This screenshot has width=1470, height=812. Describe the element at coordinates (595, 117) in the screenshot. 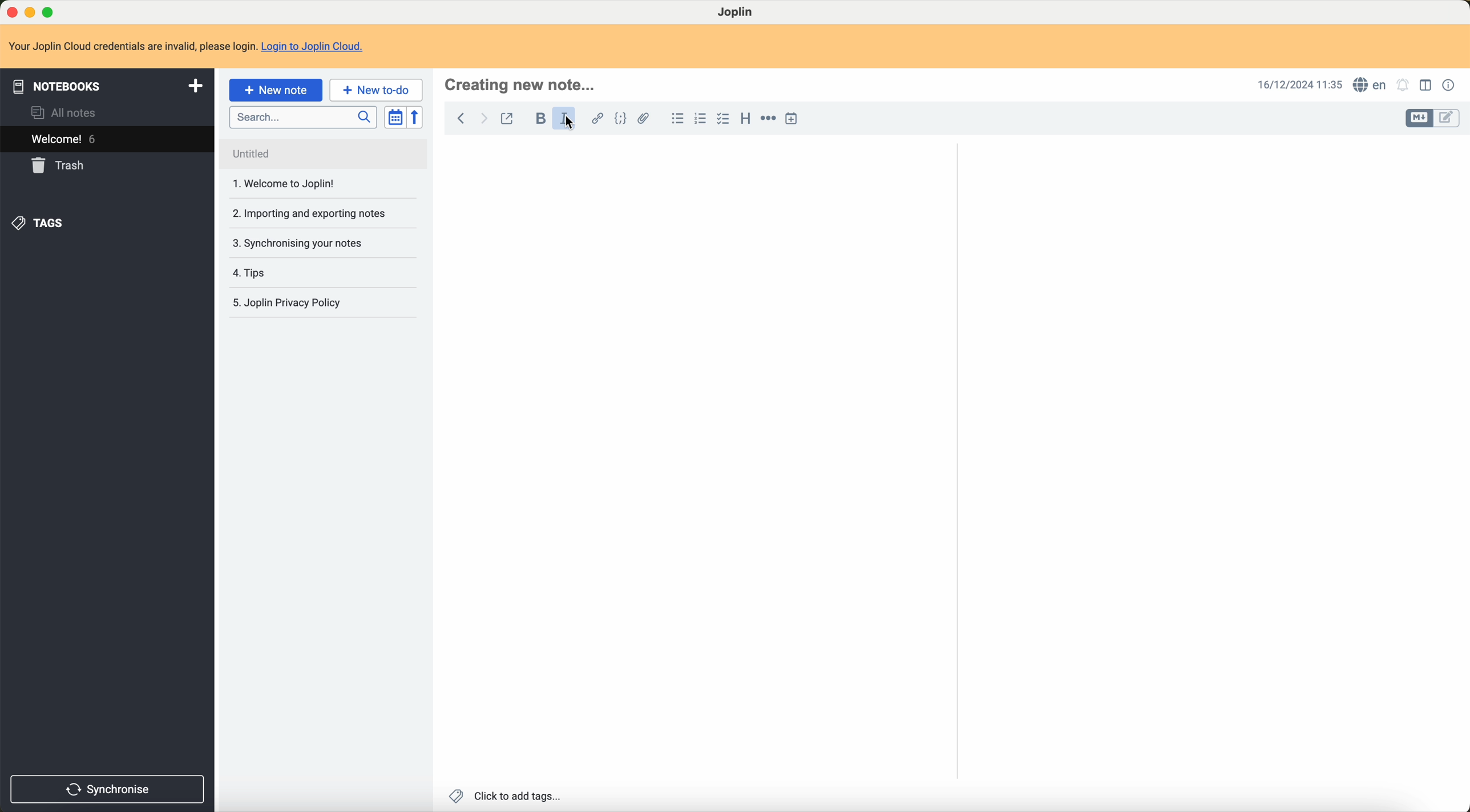

I see `hyperlink` at that location.